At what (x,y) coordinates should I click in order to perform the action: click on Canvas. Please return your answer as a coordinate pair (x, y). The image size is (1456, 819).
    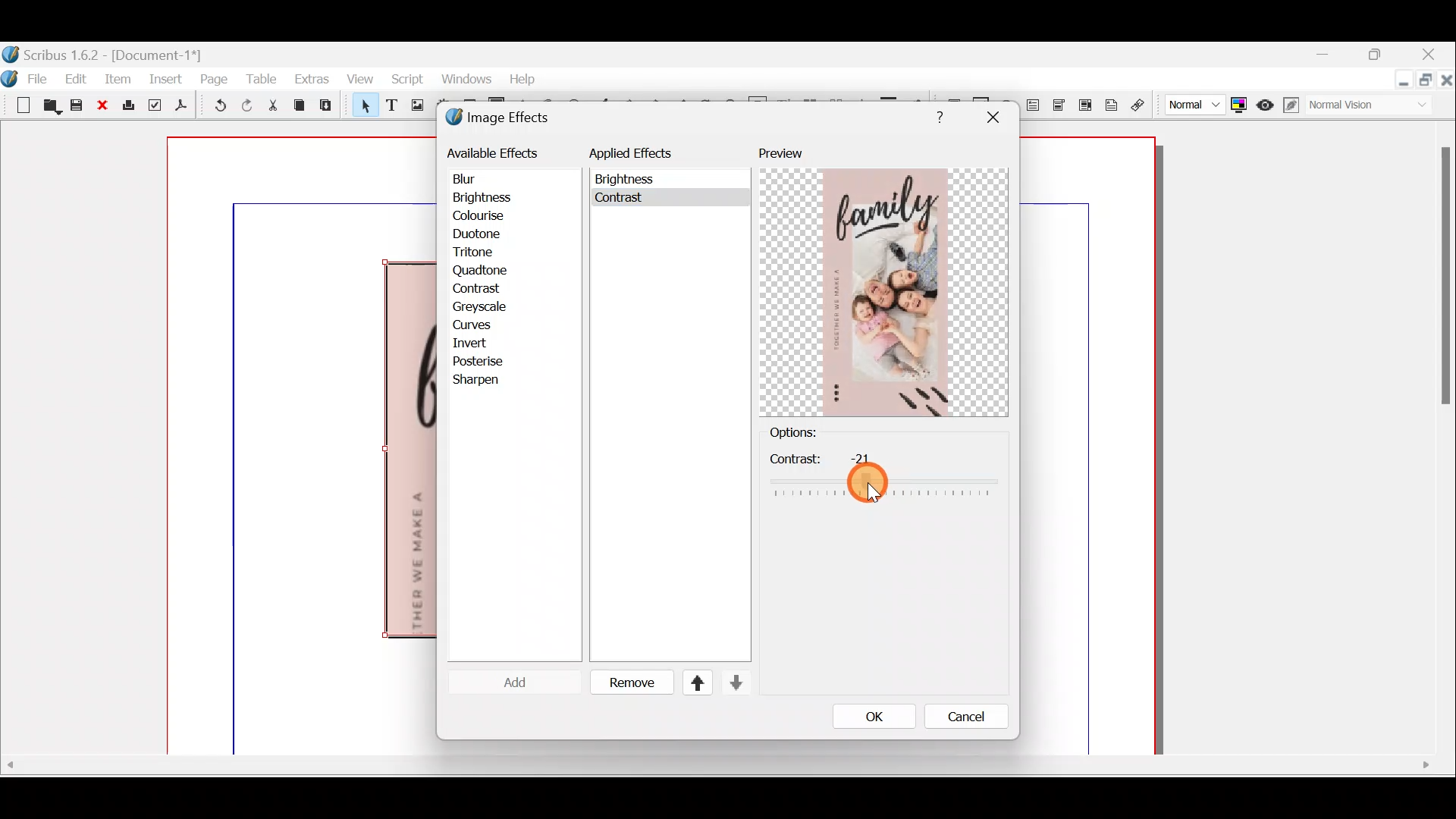
    Looking at the image, I should click on (303, 447).